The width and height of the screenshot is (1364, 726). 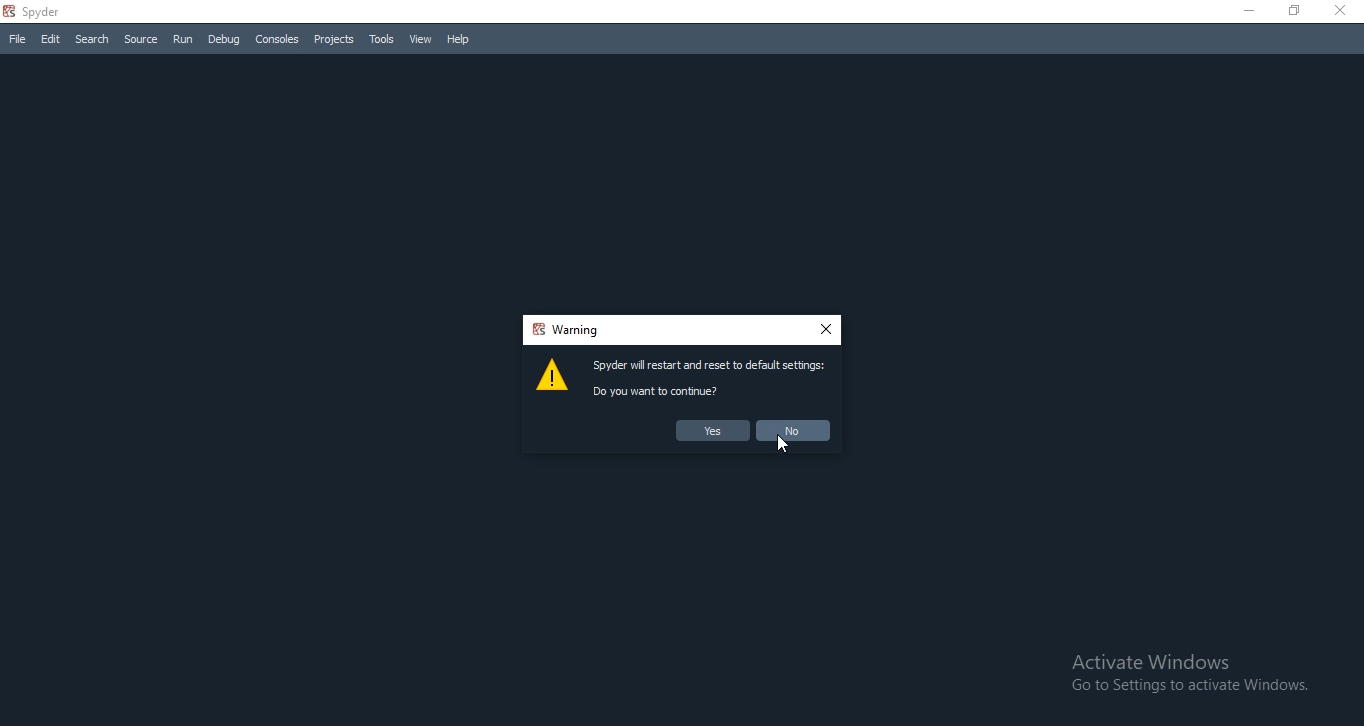 What do you see at coordinates (1344, 13) in the screenshot?
I see `close` at bounding box center [1344, 13].